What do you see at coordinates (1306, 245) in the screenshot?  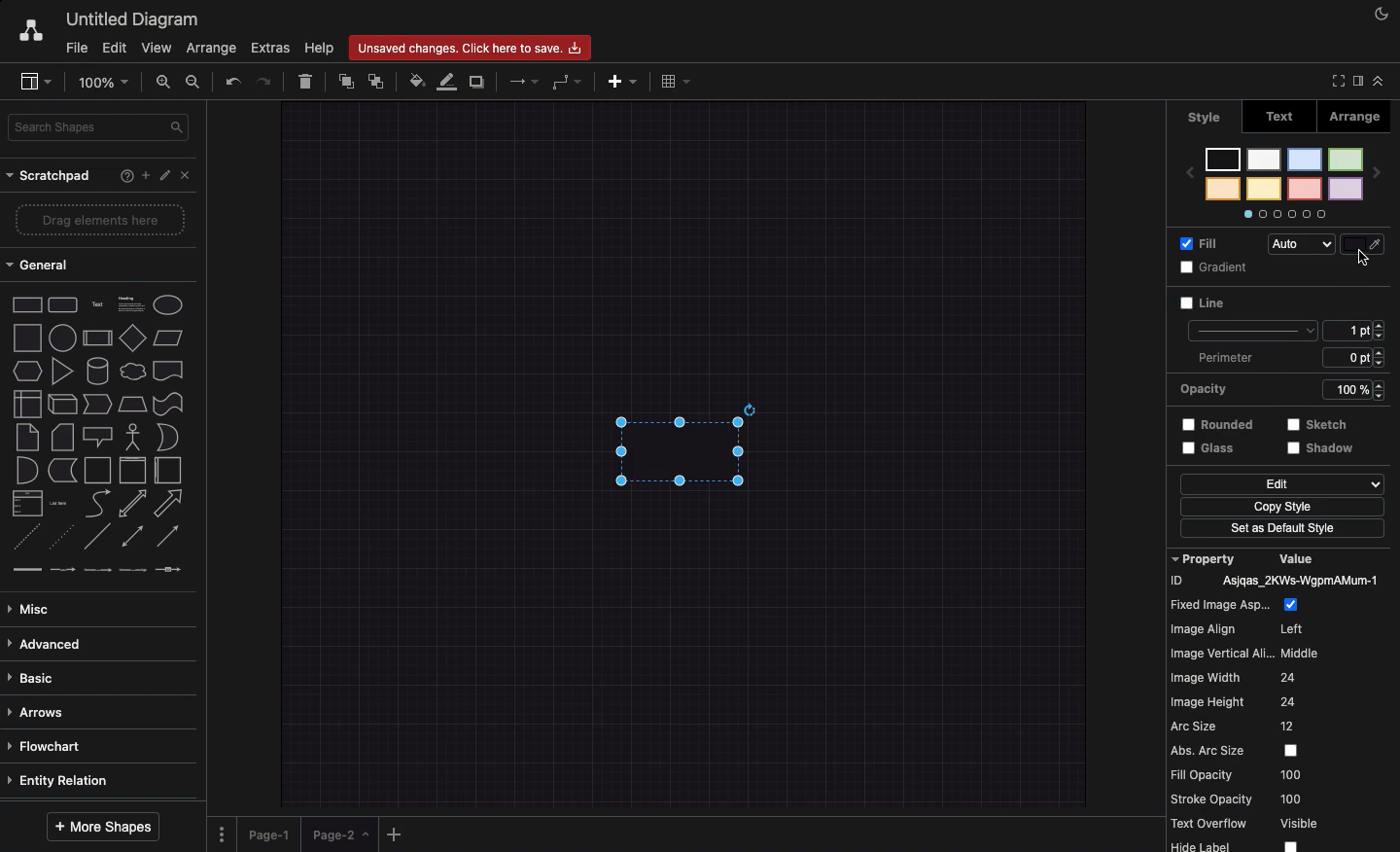 I see `Auto` at bounding box center [1306, 245].